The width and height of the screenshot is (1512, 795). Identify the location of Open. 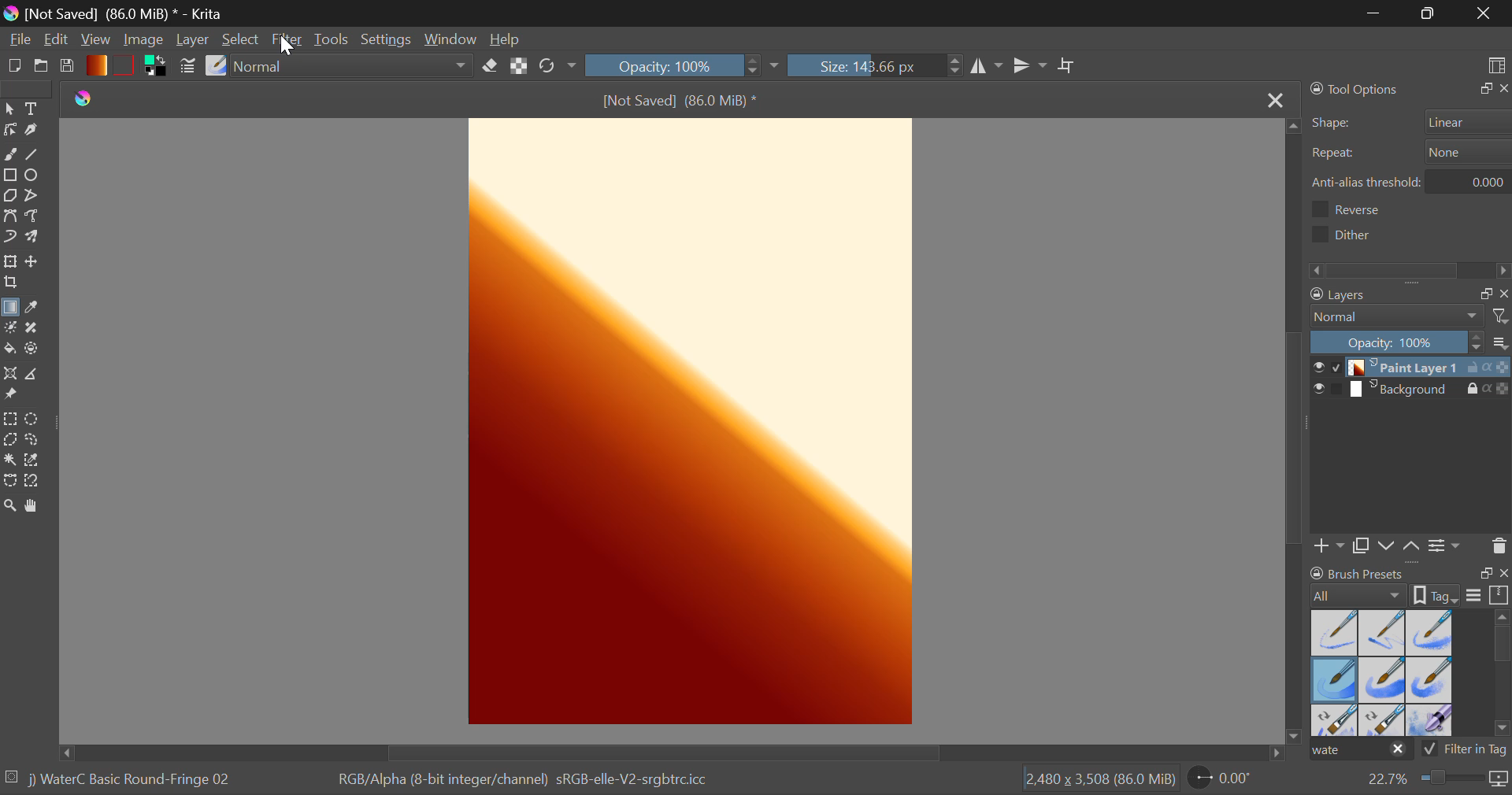
(41, 66).